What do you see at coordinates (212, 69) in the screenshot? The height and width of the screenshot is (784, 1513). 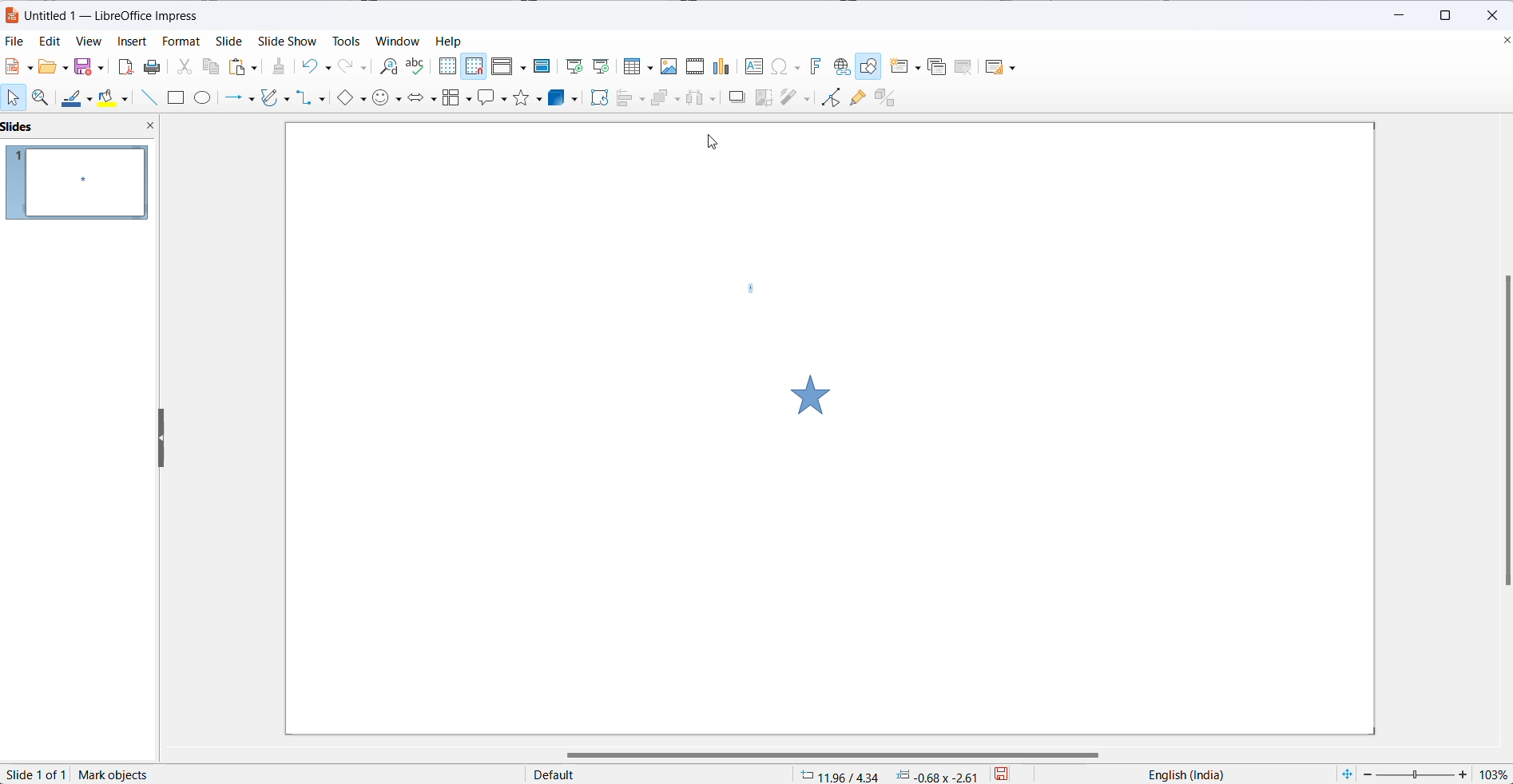 I see `copy` at bounding box center [212, 69].